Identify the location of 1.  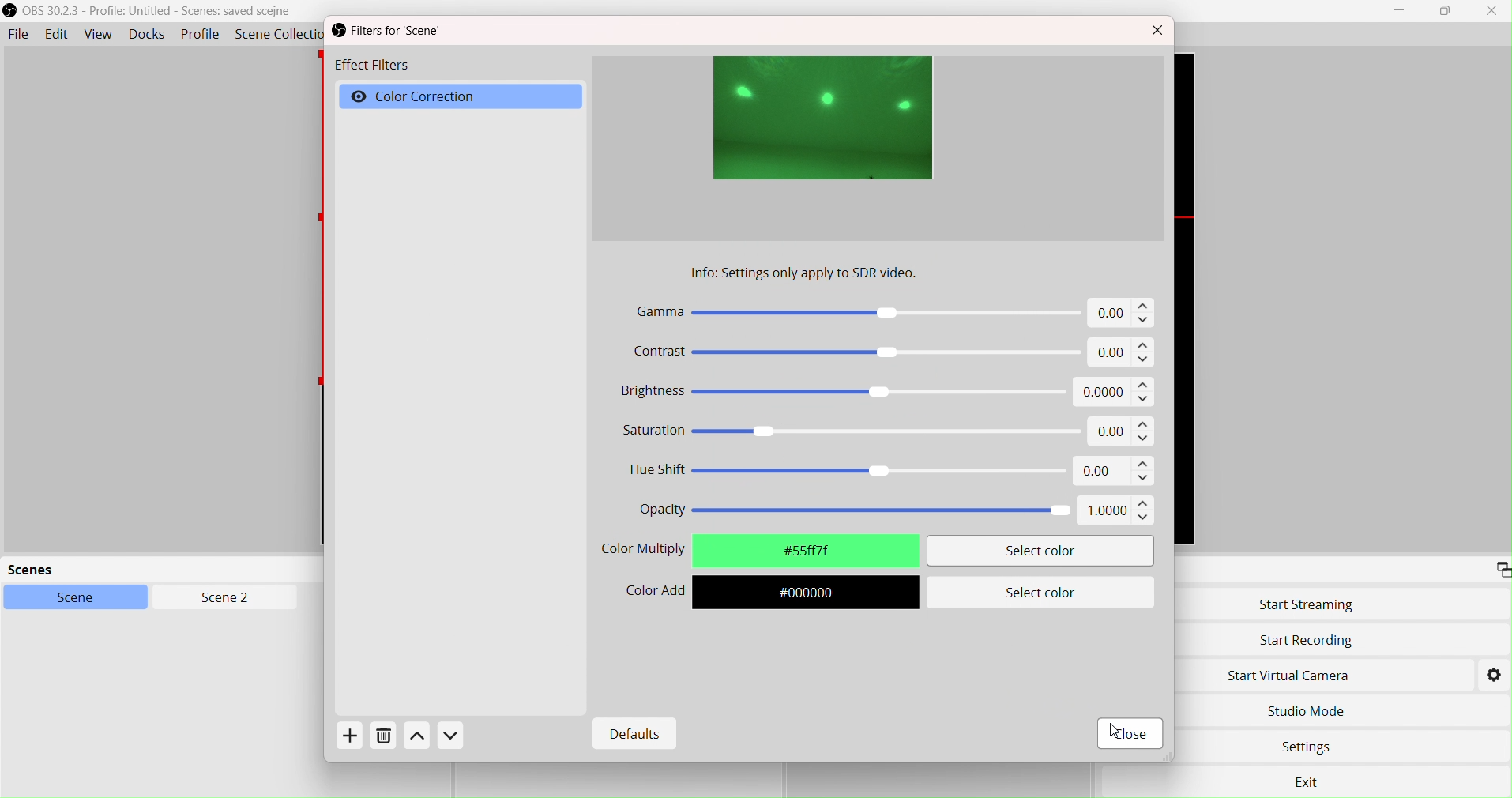
(1118, 510).